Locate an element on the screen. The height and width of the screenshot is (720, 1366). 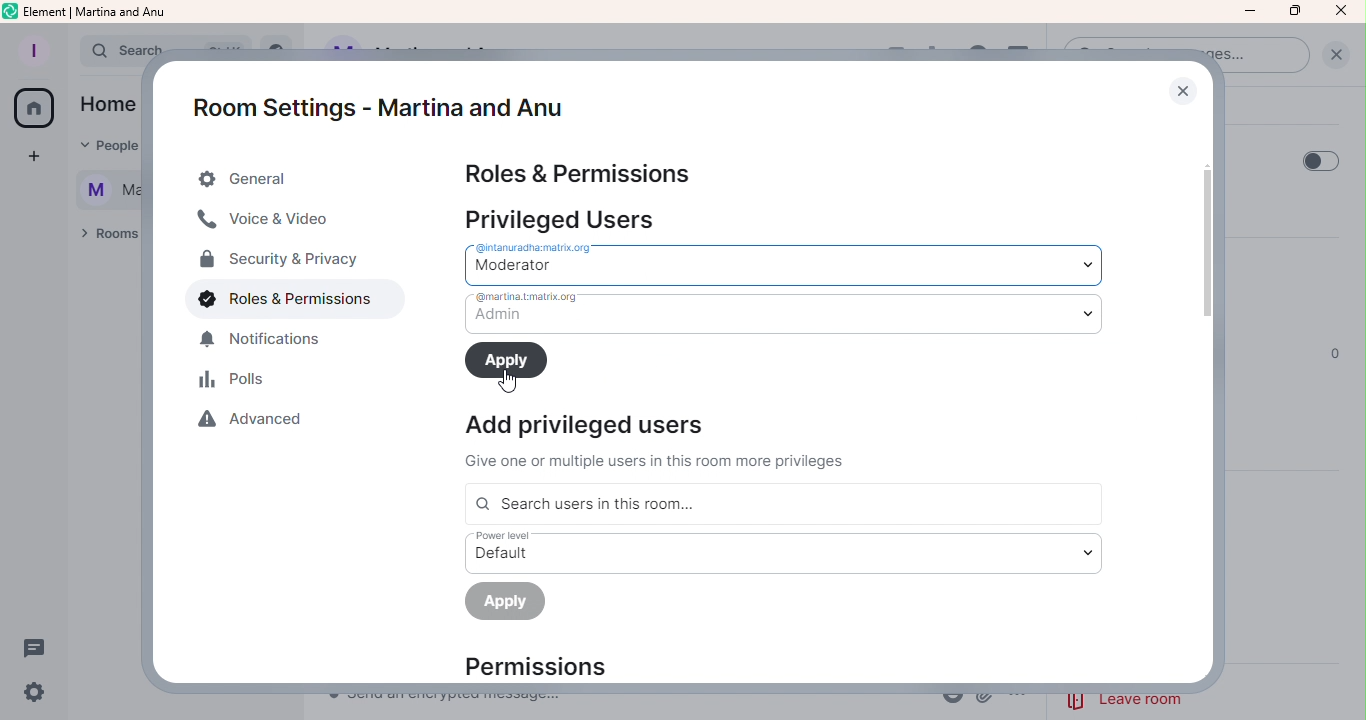
Scroll bar is located at coordinates (1213, 396).